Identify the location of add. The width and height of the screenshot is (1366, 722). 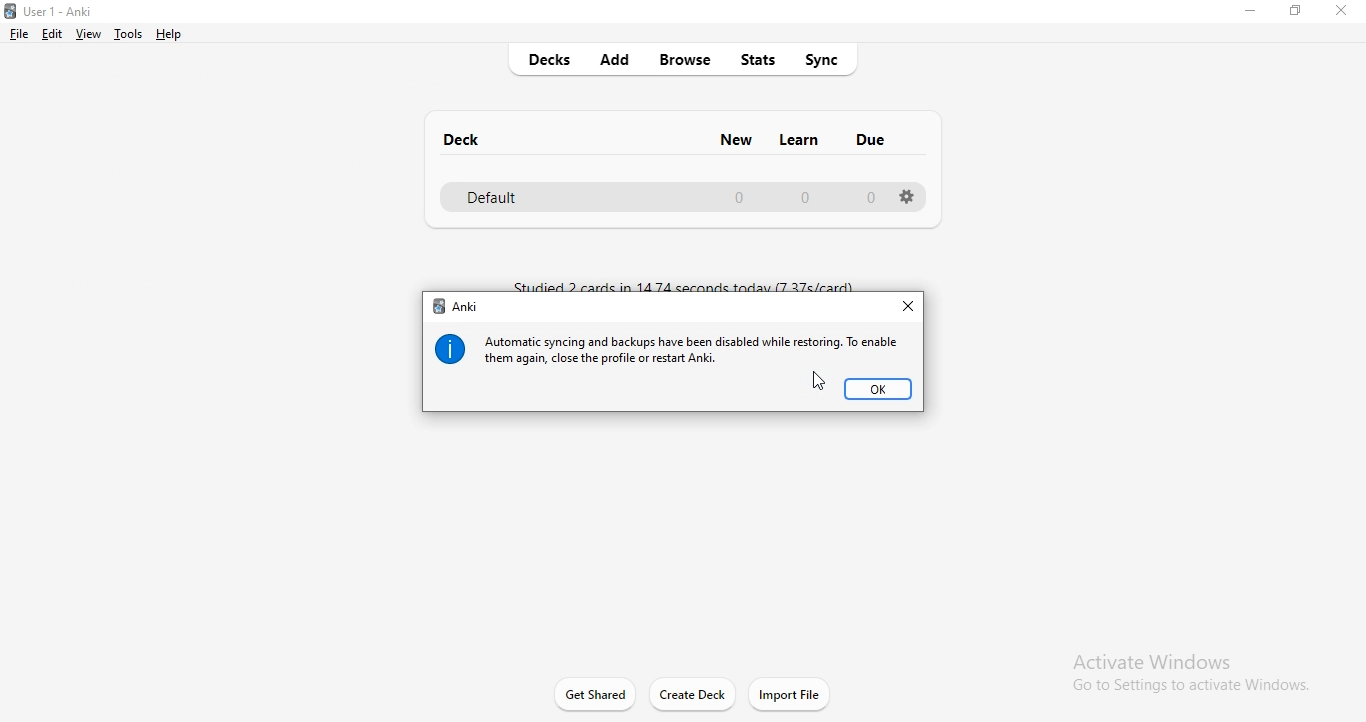
(619, 59).